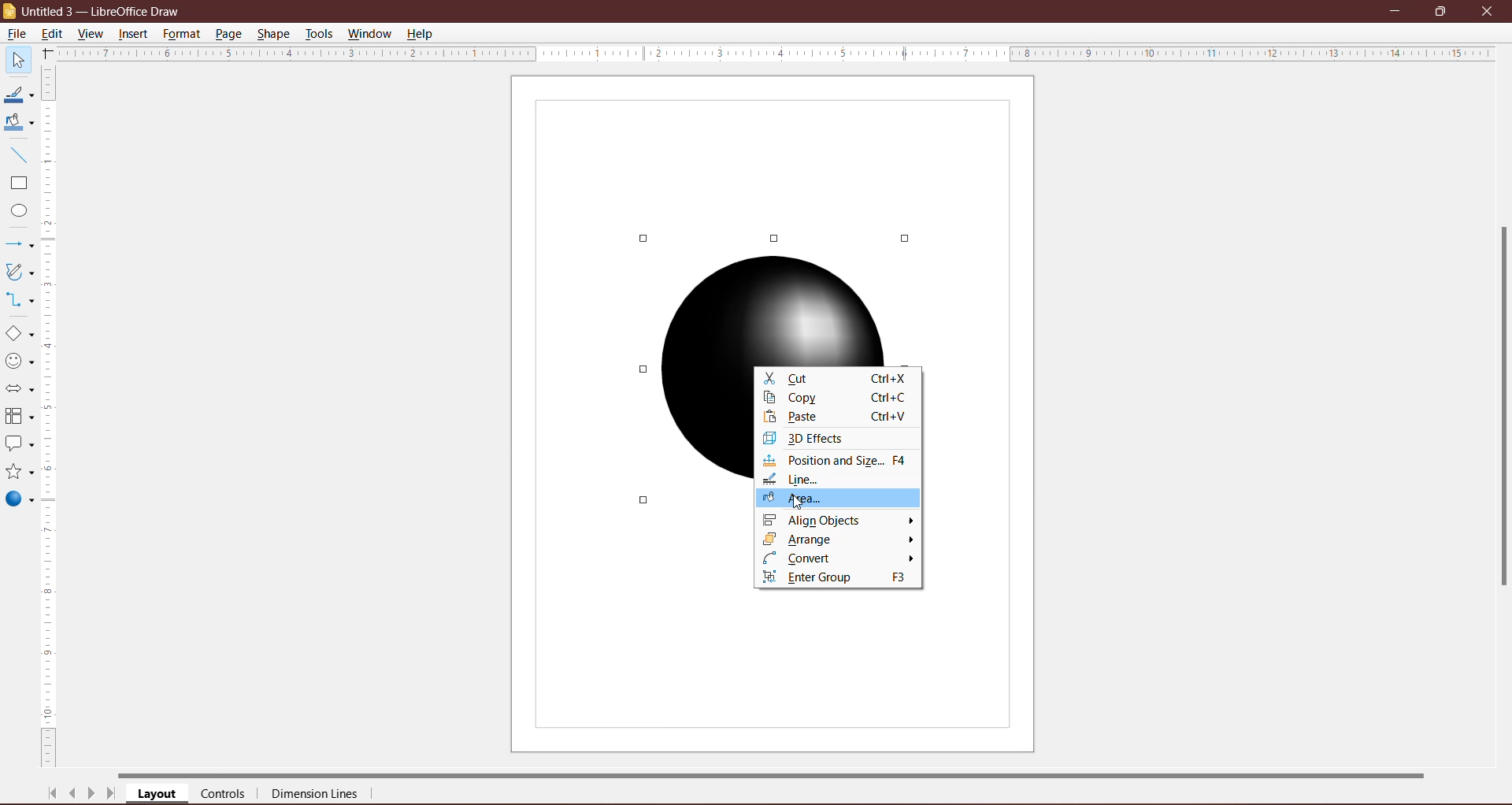 The image size is (1512, 805). Describe the element at coordinates (836, 578) in the screenshot. I see `Enter Group` at that location.